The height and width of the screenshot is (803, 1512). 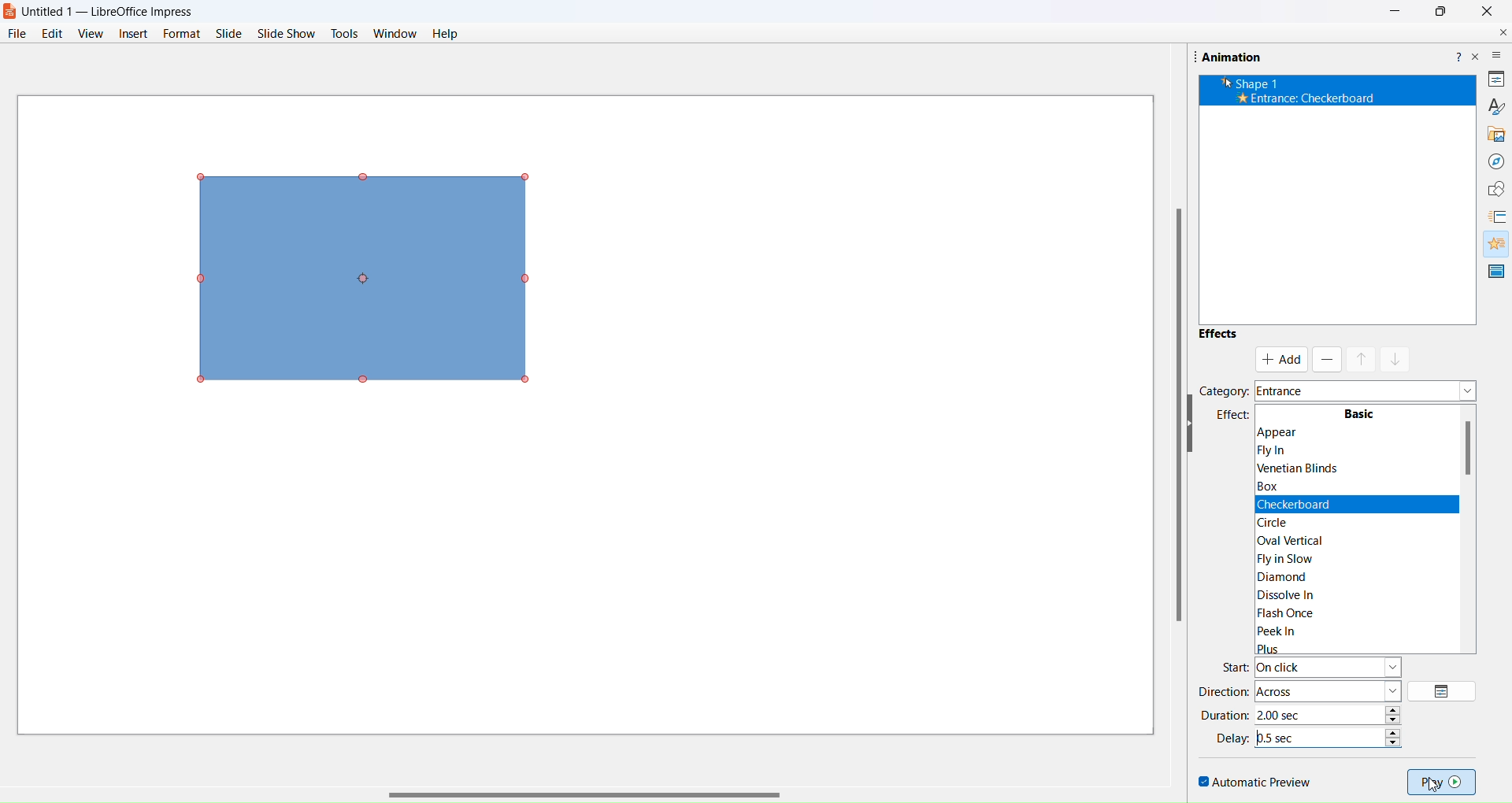 I want to click on cursor, so click(x=1442, y=786).